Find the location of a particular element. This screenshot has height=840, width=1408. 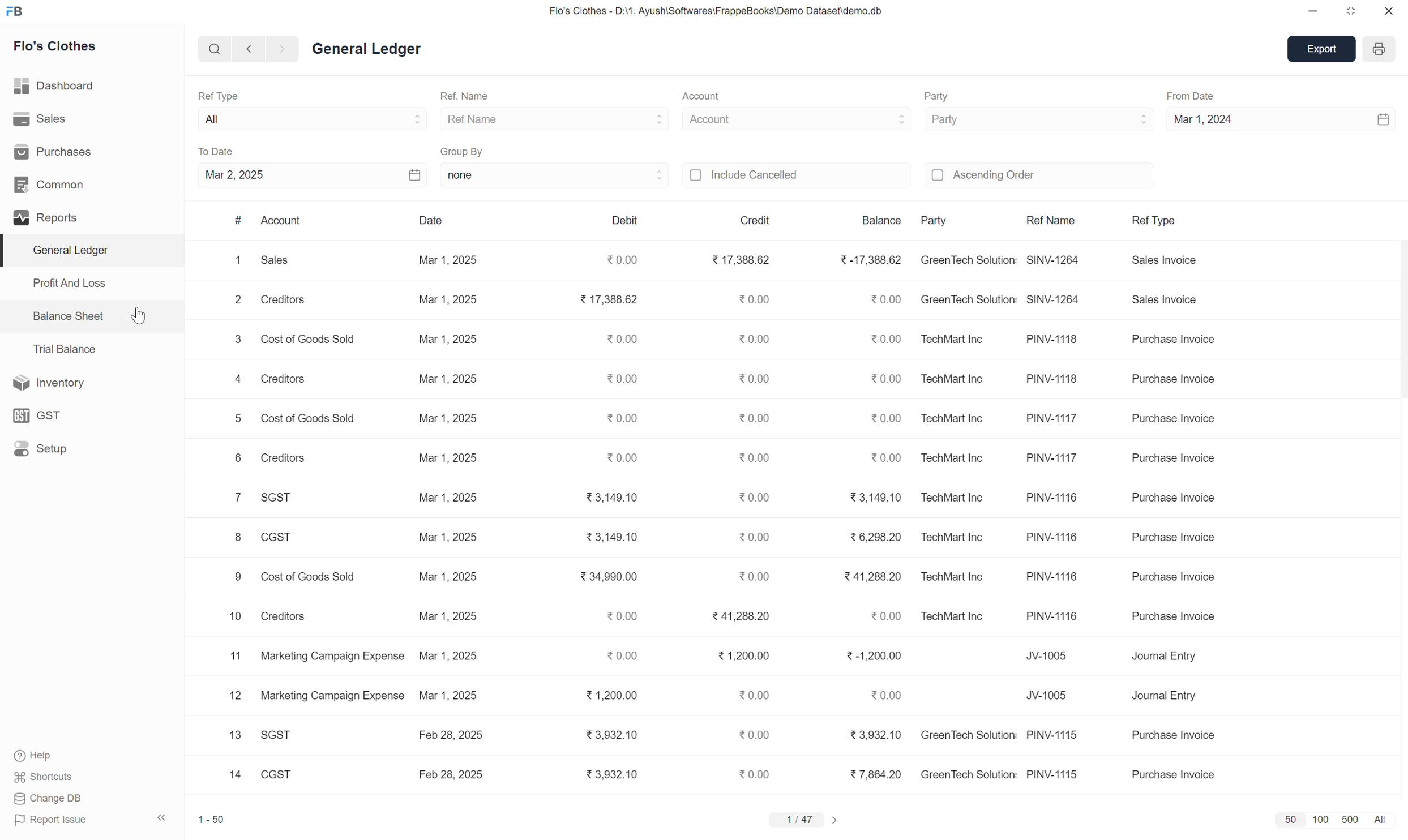

Feb 28, 2025 is located at coordinates (450, 734).